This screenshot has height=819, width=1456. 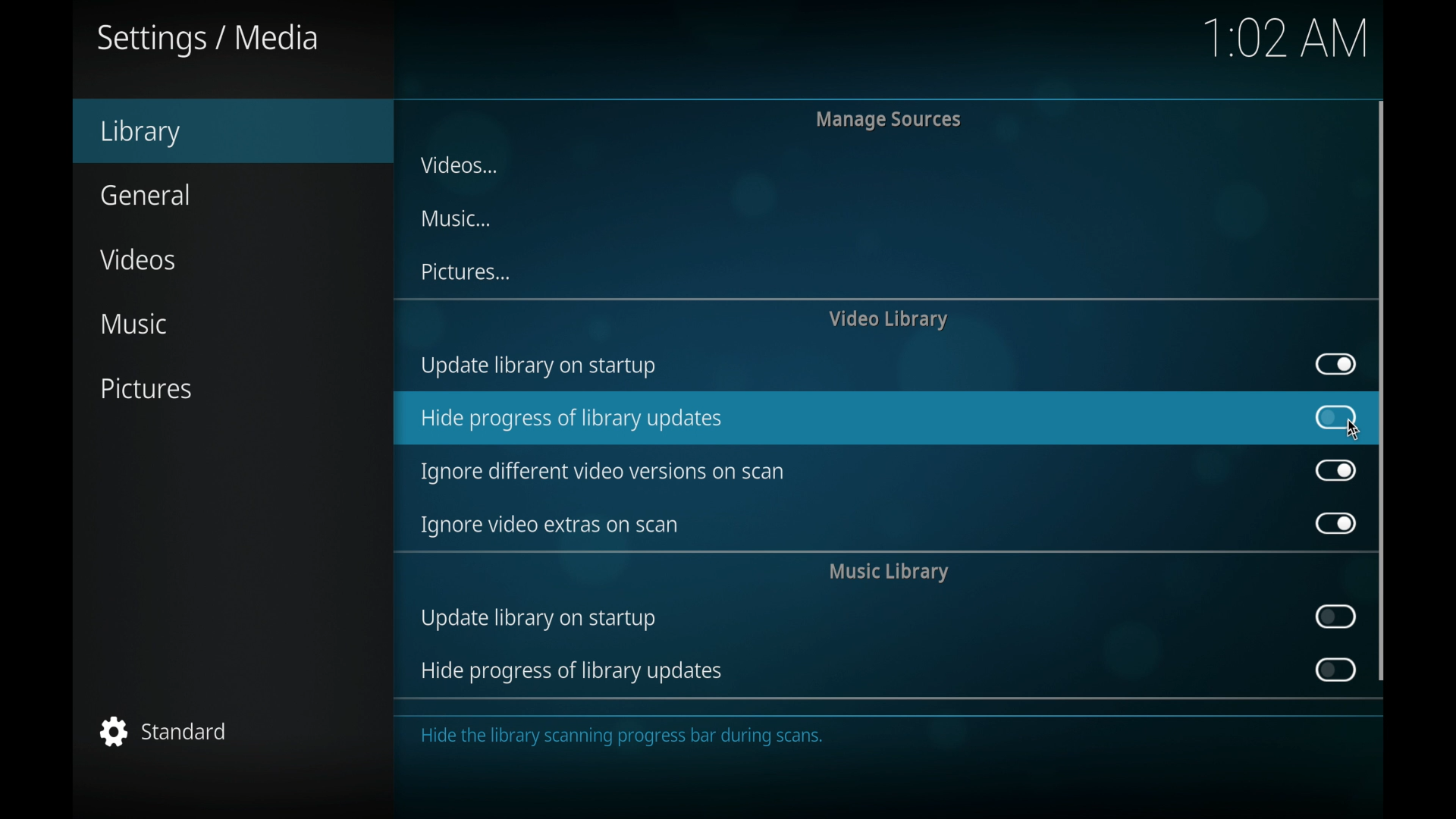 What do you see at coordinates (1382, 388) in the screenshot?
I see `scroll box` at bounding box center [1382, 388].